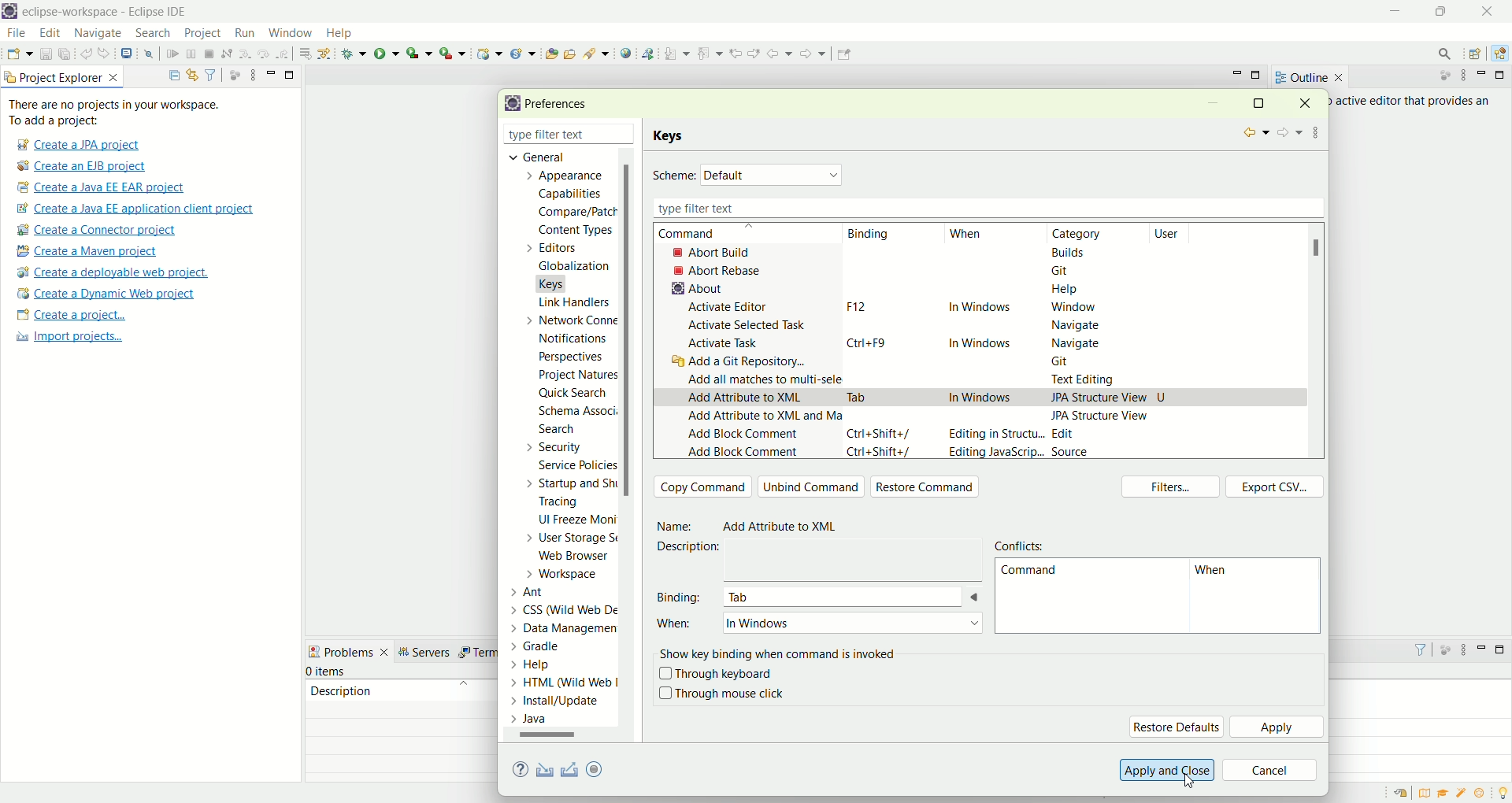  I want to click on forward, so click(811, 57).